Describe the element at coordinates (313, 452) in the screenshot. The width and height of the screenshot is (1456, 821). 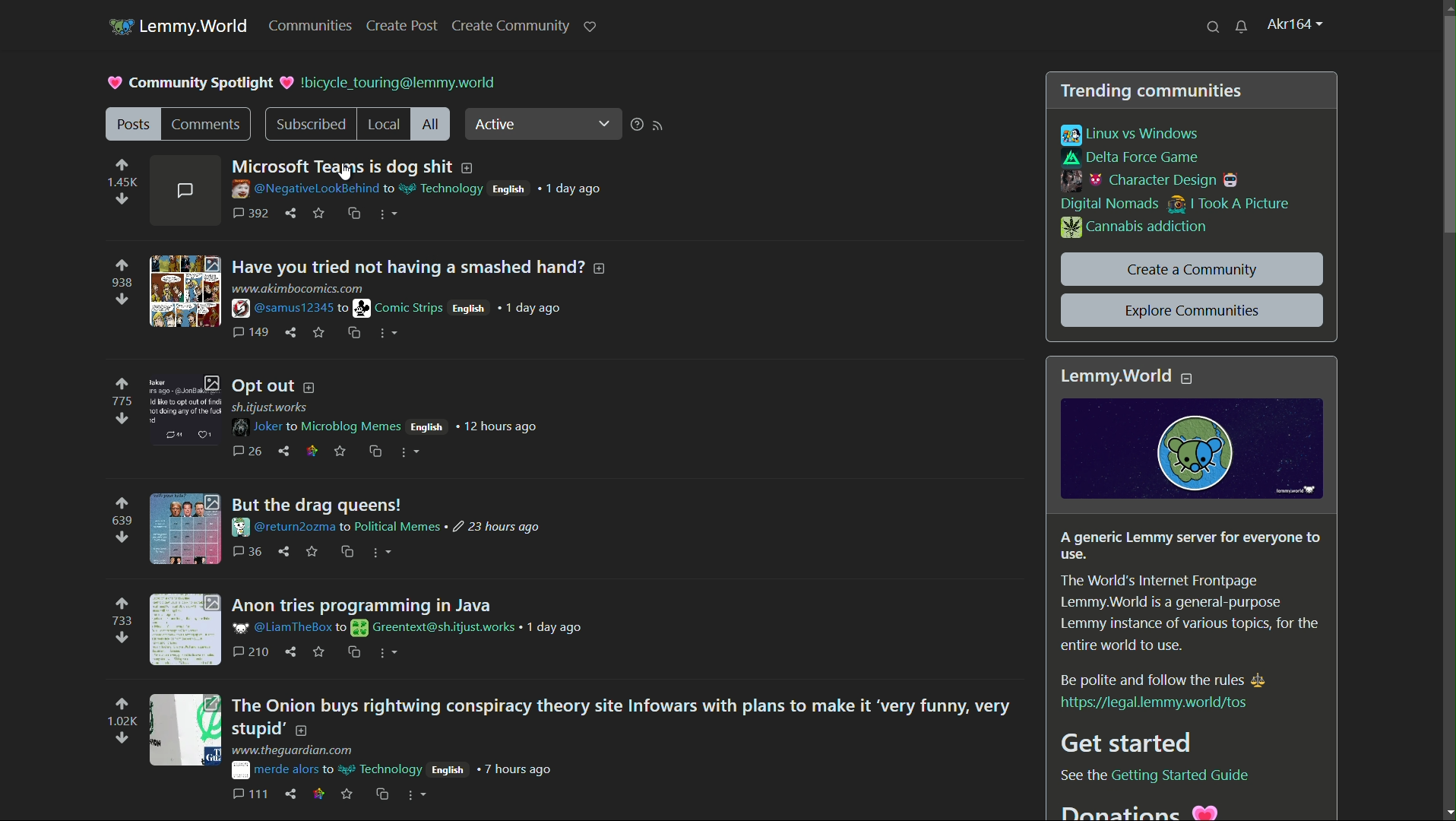
I see `link` at that location.